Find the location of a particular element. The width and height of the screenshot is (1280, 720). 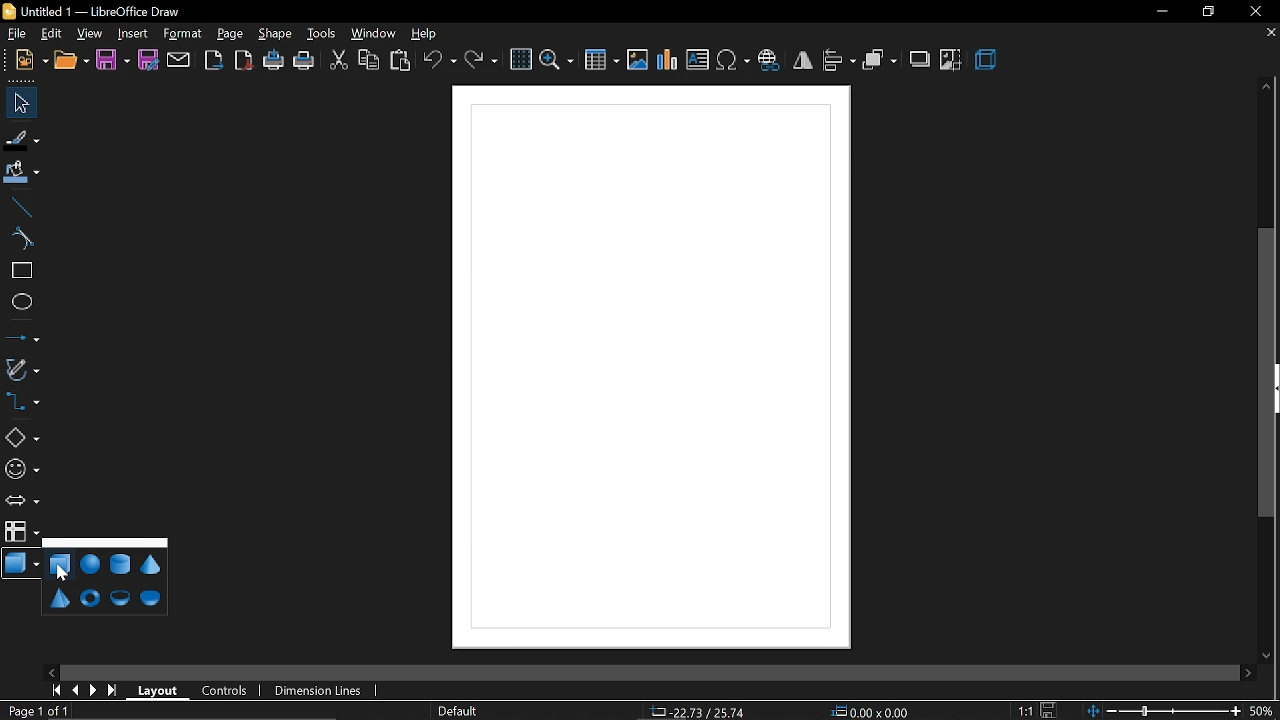

move right is located at coordinates (1248, 675).